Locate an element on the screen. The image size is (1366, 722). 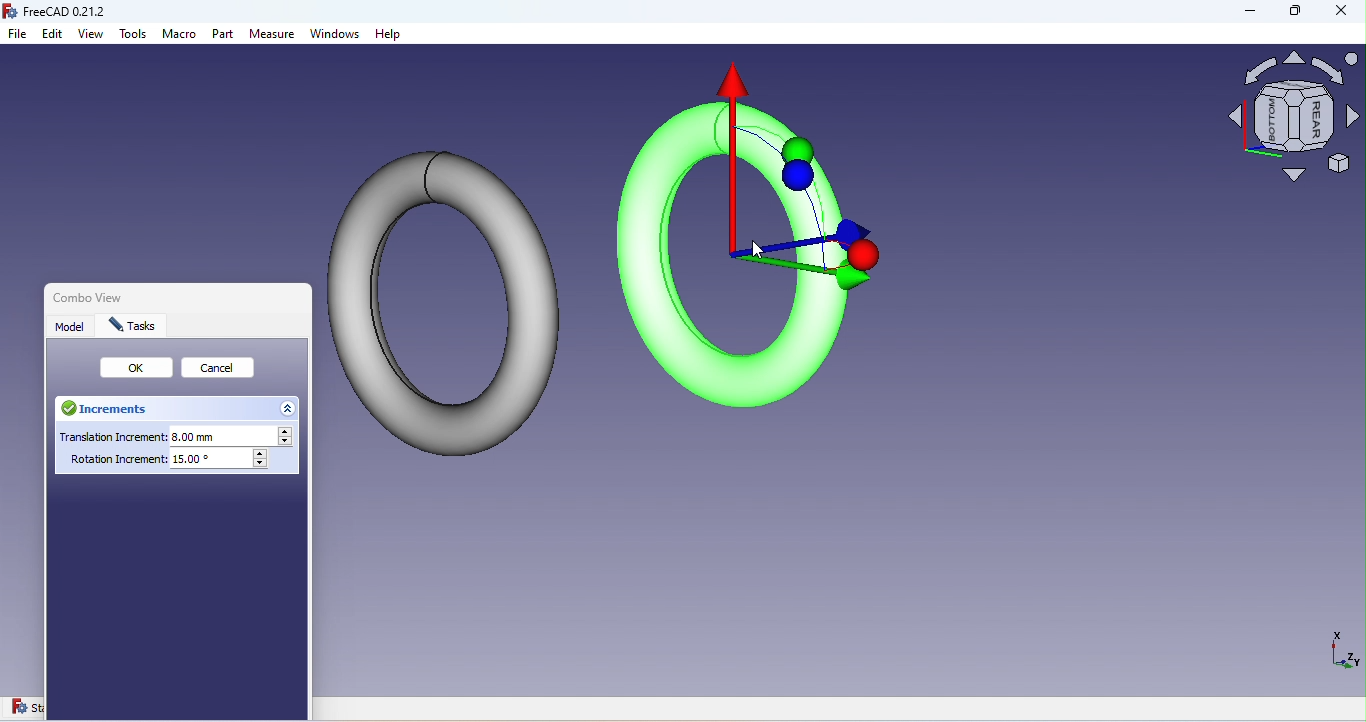
Close is located at coordinates (1341, 13).